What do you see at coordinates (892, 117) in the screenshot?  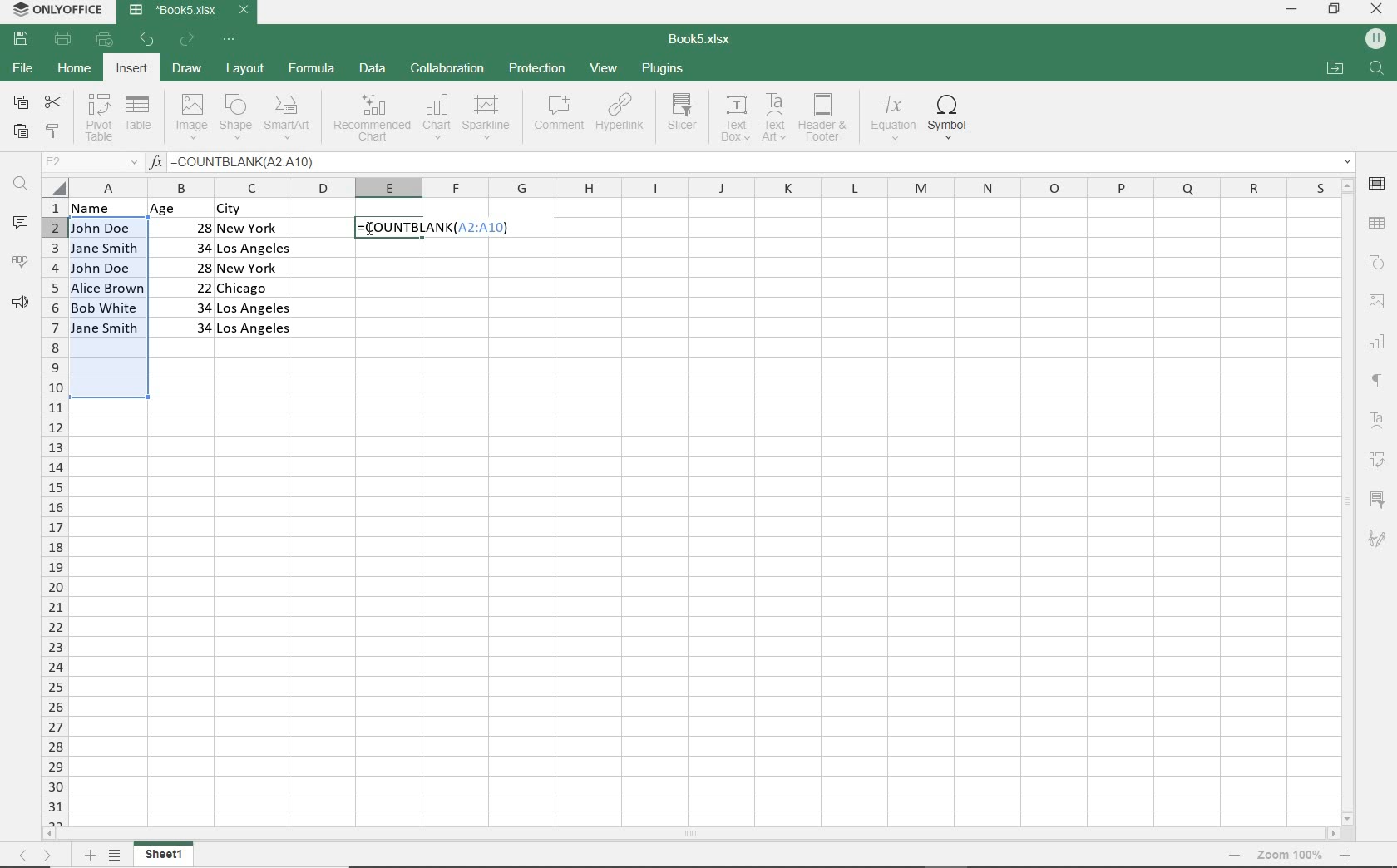 I see `EQUATION` at bounding box center [892, 117].